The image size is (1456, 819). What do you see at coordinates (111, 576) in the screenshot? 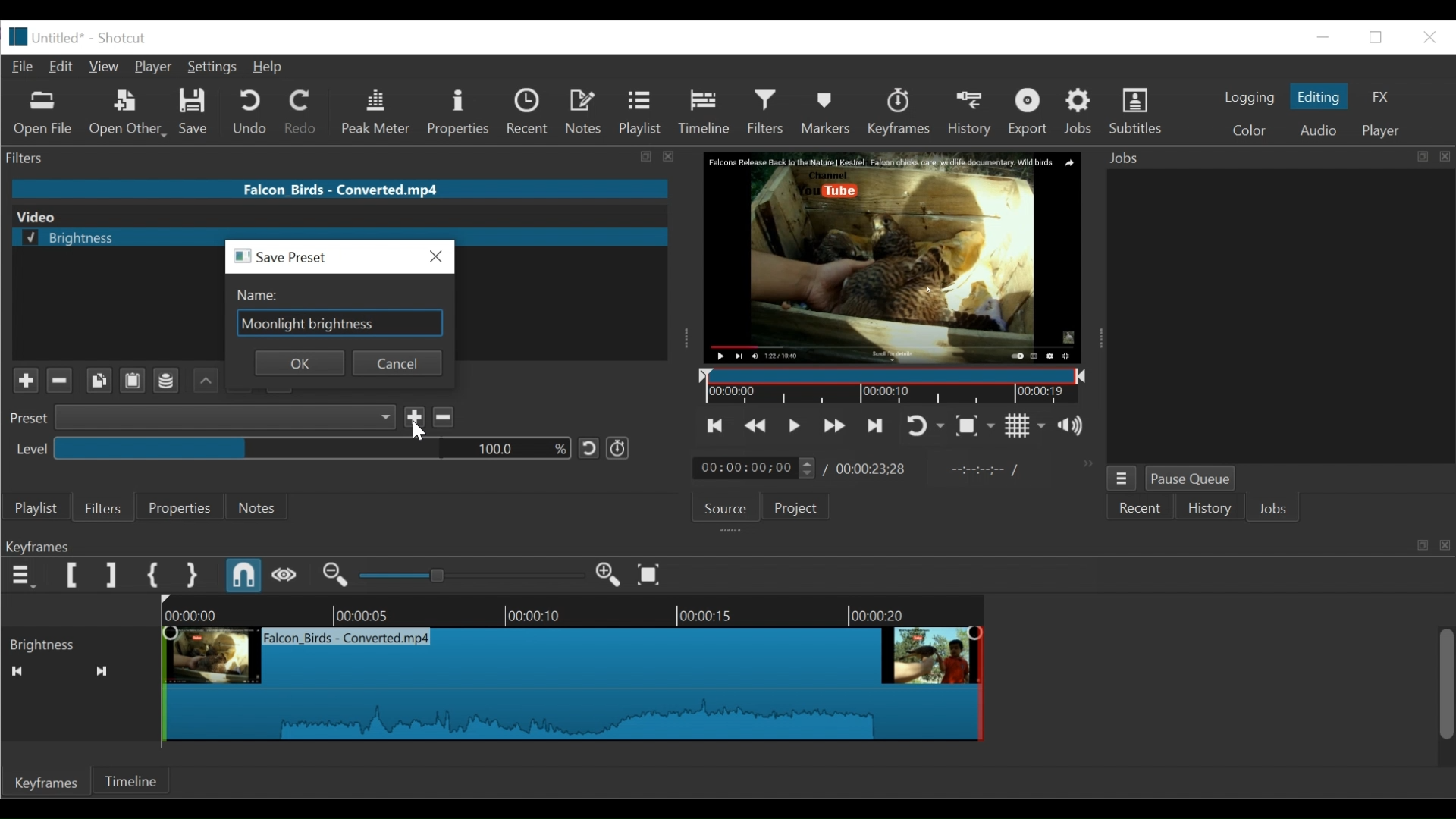
I see `Set Filter last` at bounding box center [111, 576].